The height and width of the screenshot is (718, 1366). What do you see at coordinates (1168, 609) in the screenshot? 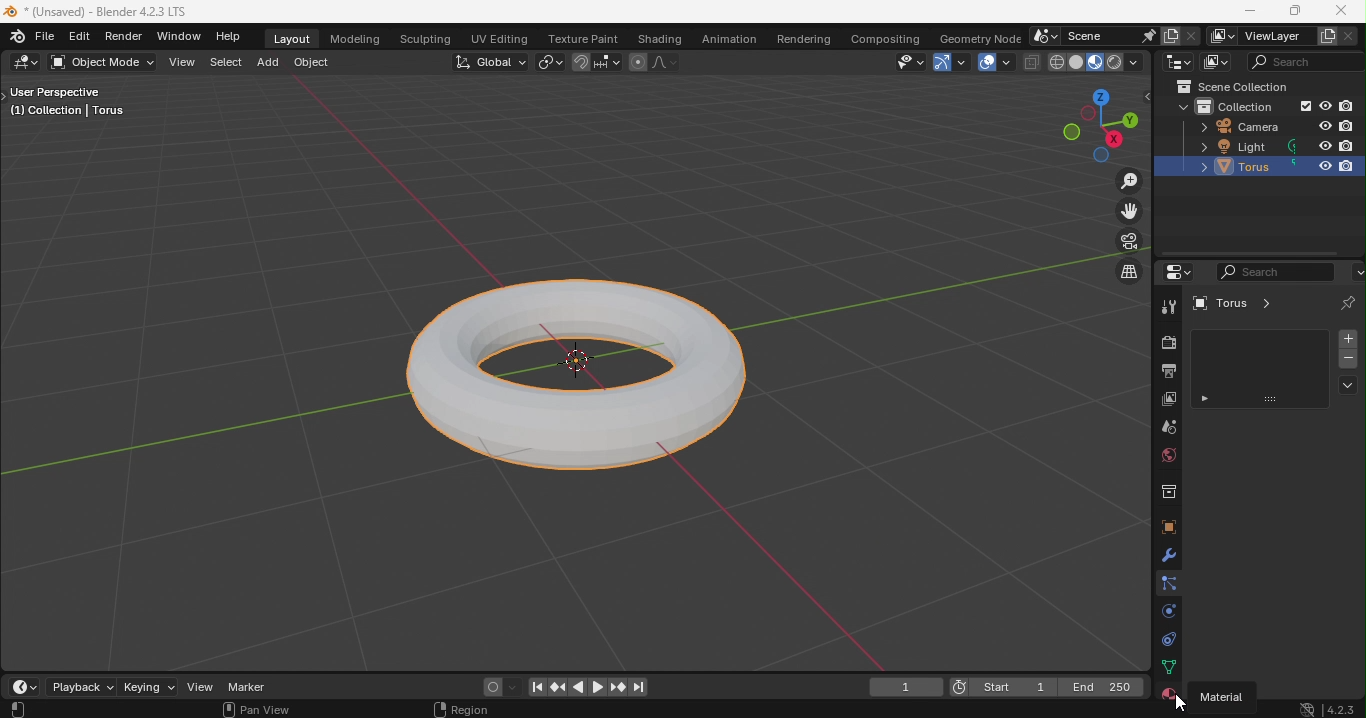
I see `Physics` at bounding box center [1168, 609].